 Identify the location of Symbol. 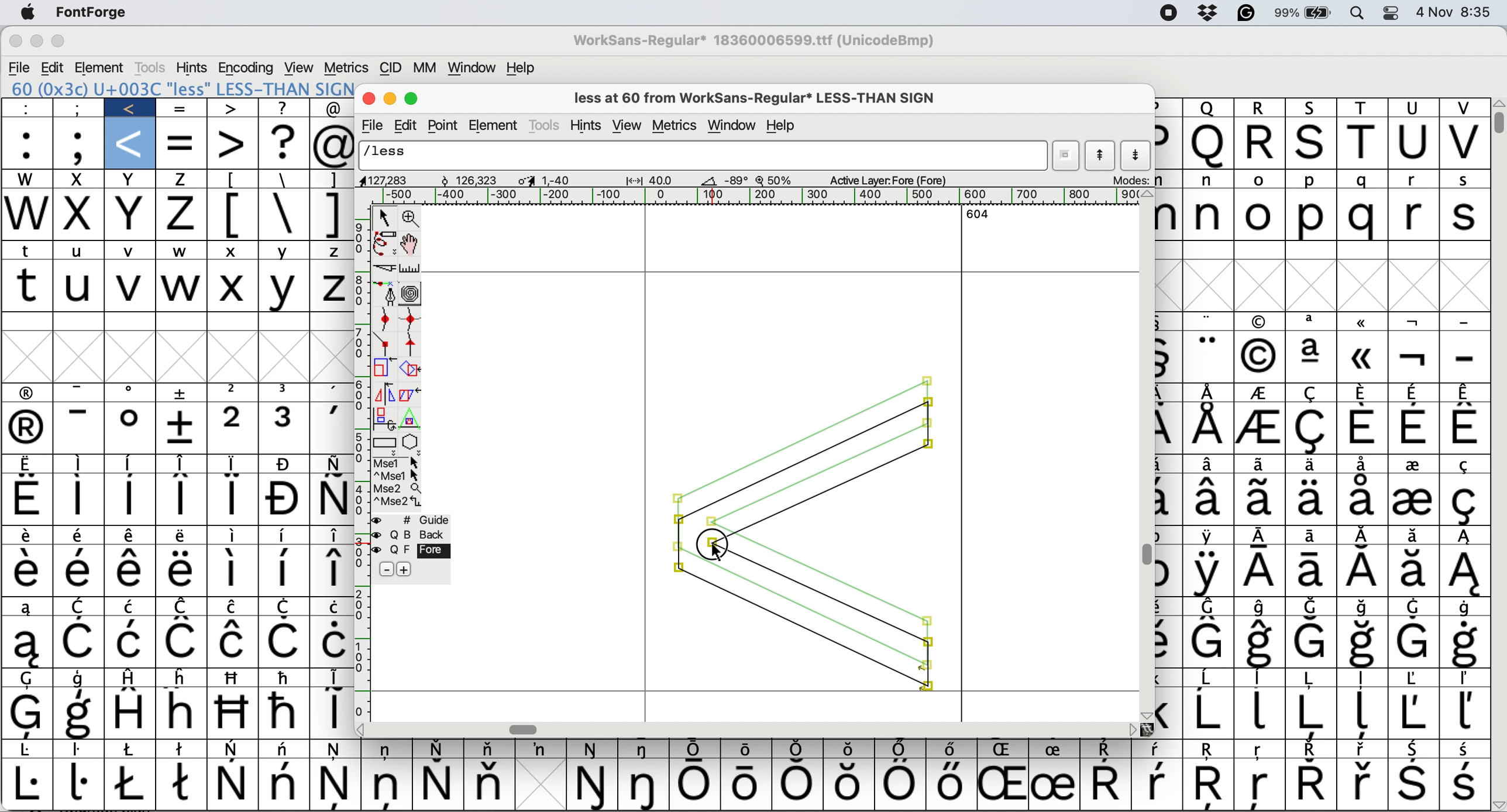
(32, 535).